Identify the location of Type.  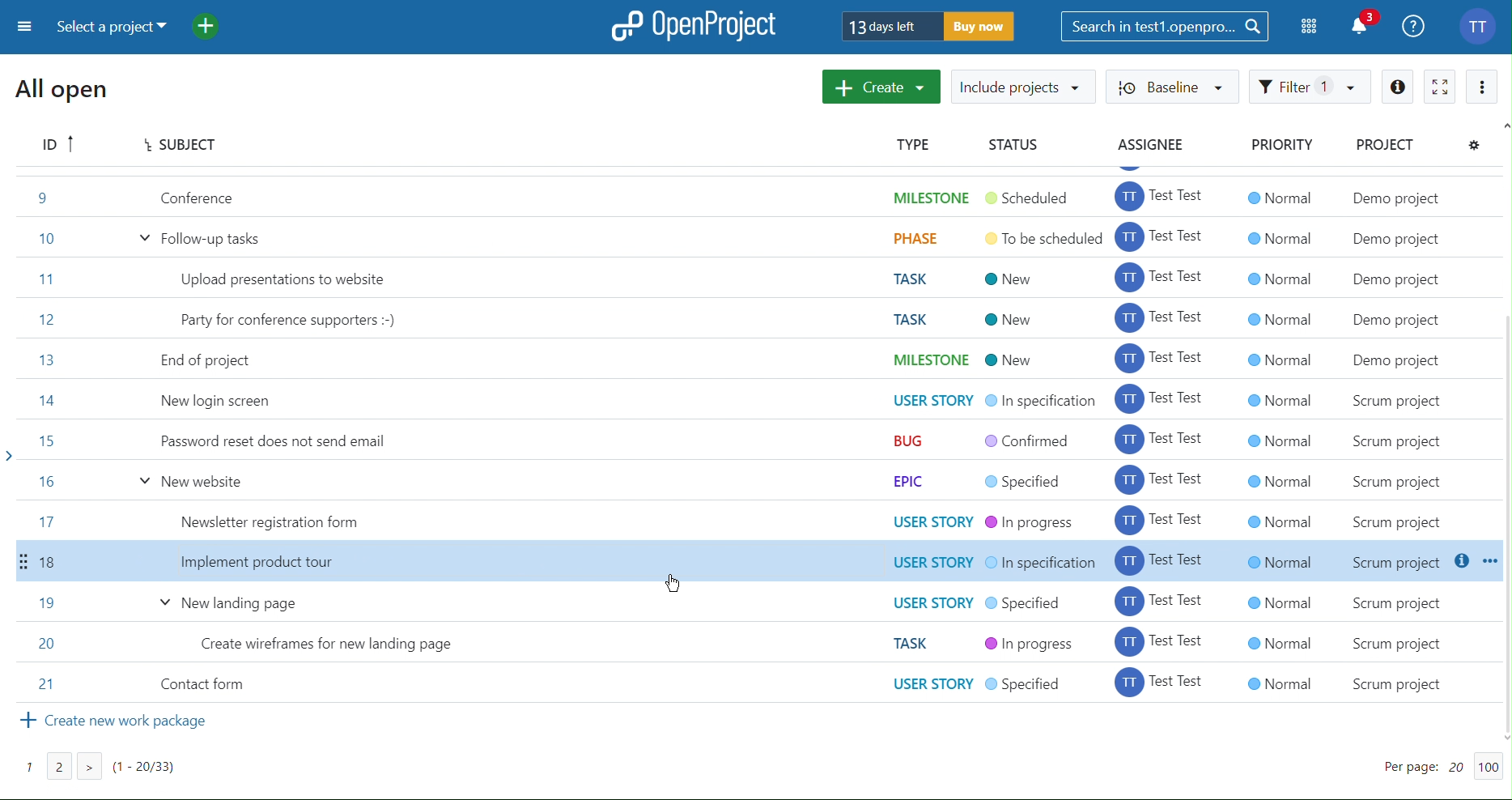
(915, 144).